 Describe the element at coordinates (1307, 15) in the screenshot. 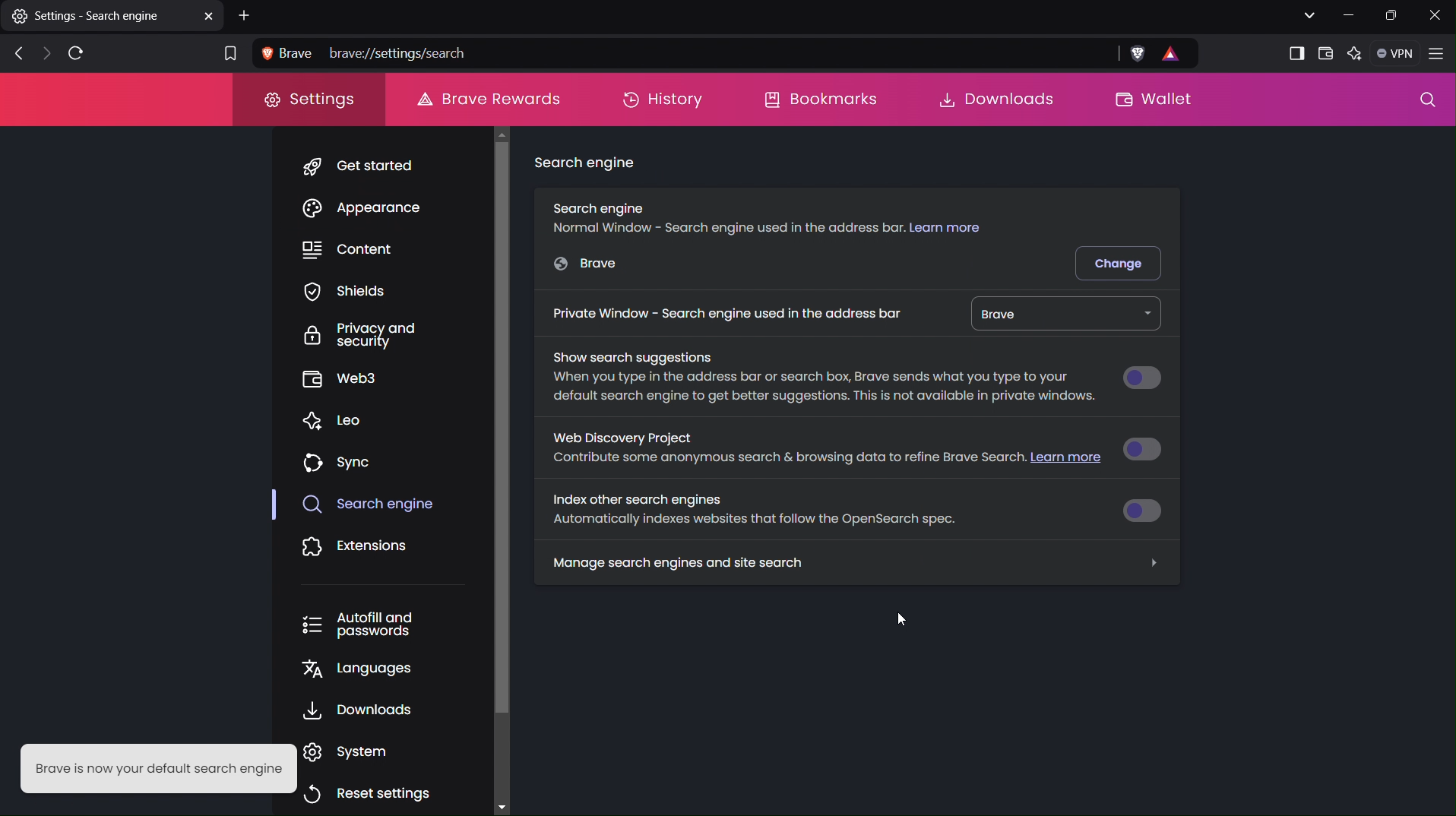

I see `List all tabs` at that location.